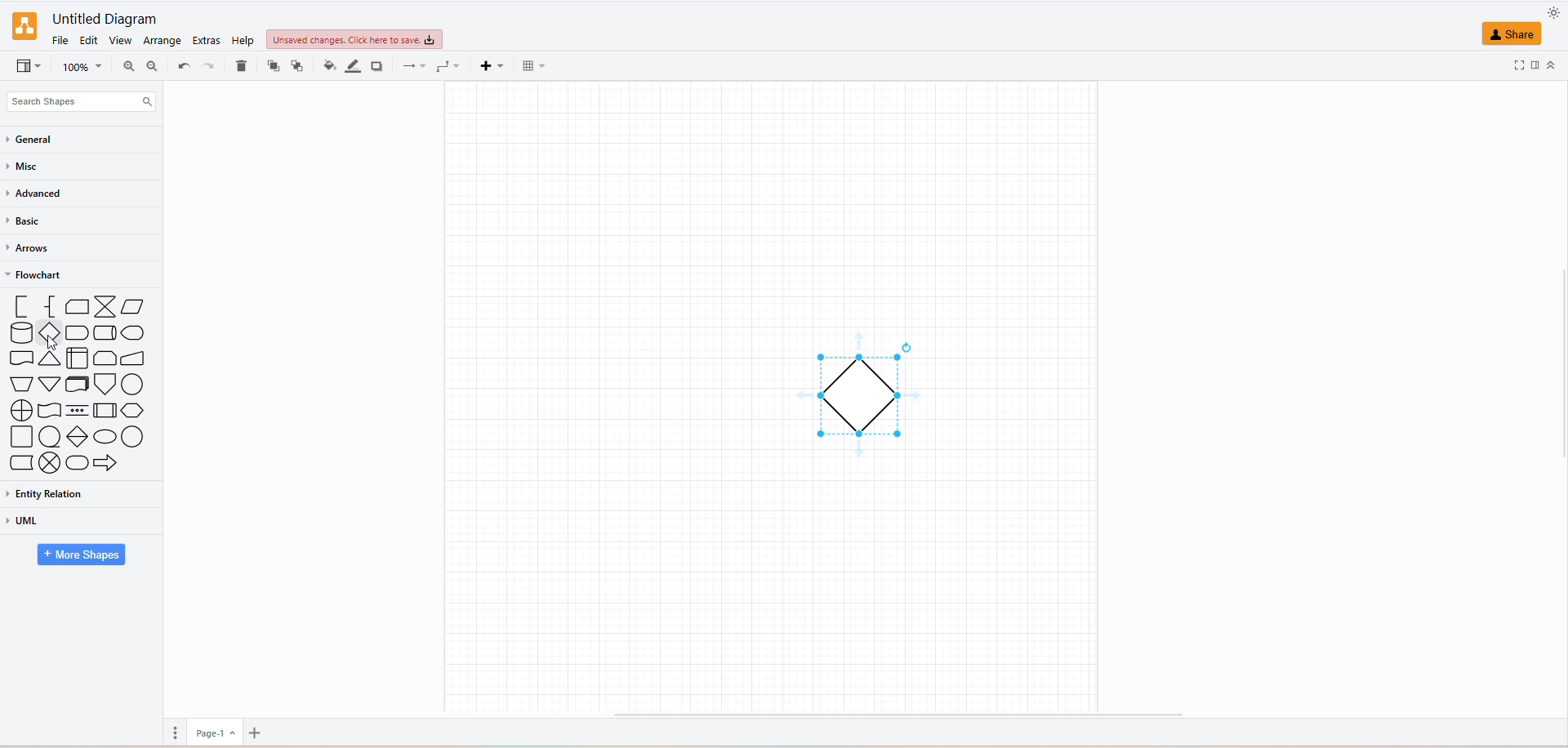 The height and width of the screenshot is (748, 1568). I want to click on cursor, so click(51, 342).